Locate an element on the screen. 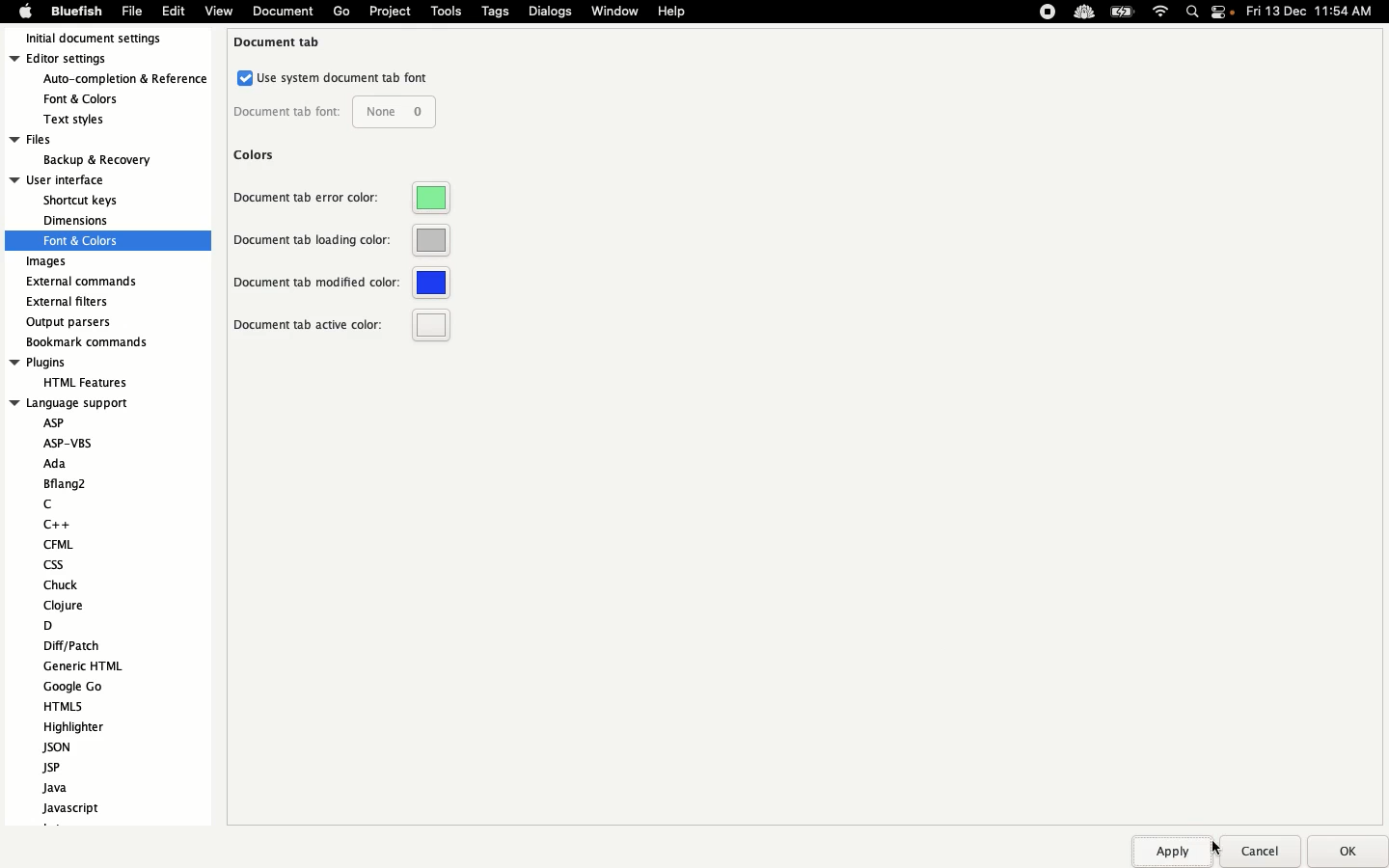  Green is located at coordinates (429, 202).